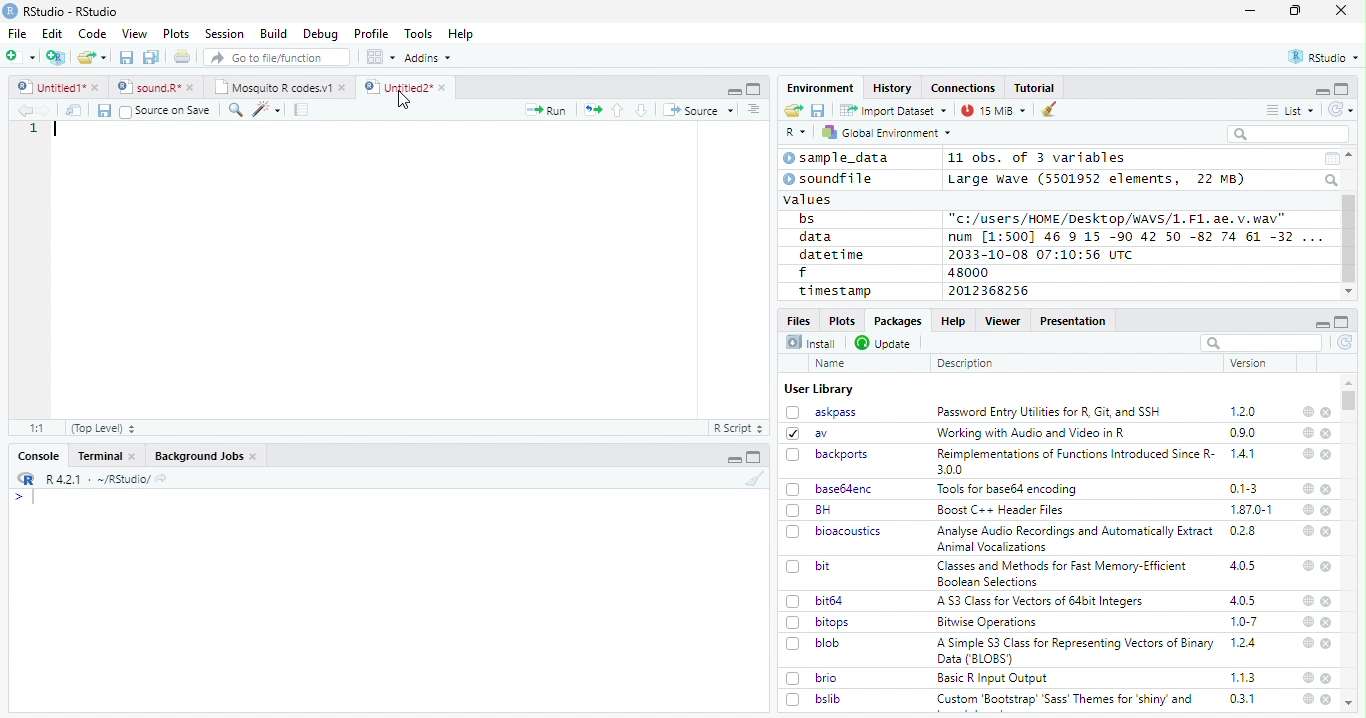 This screenshot has width=1366, height=718. Describe the element at coordinates (1243, 433) in the screenshot. I see `0.9.0` at that location.